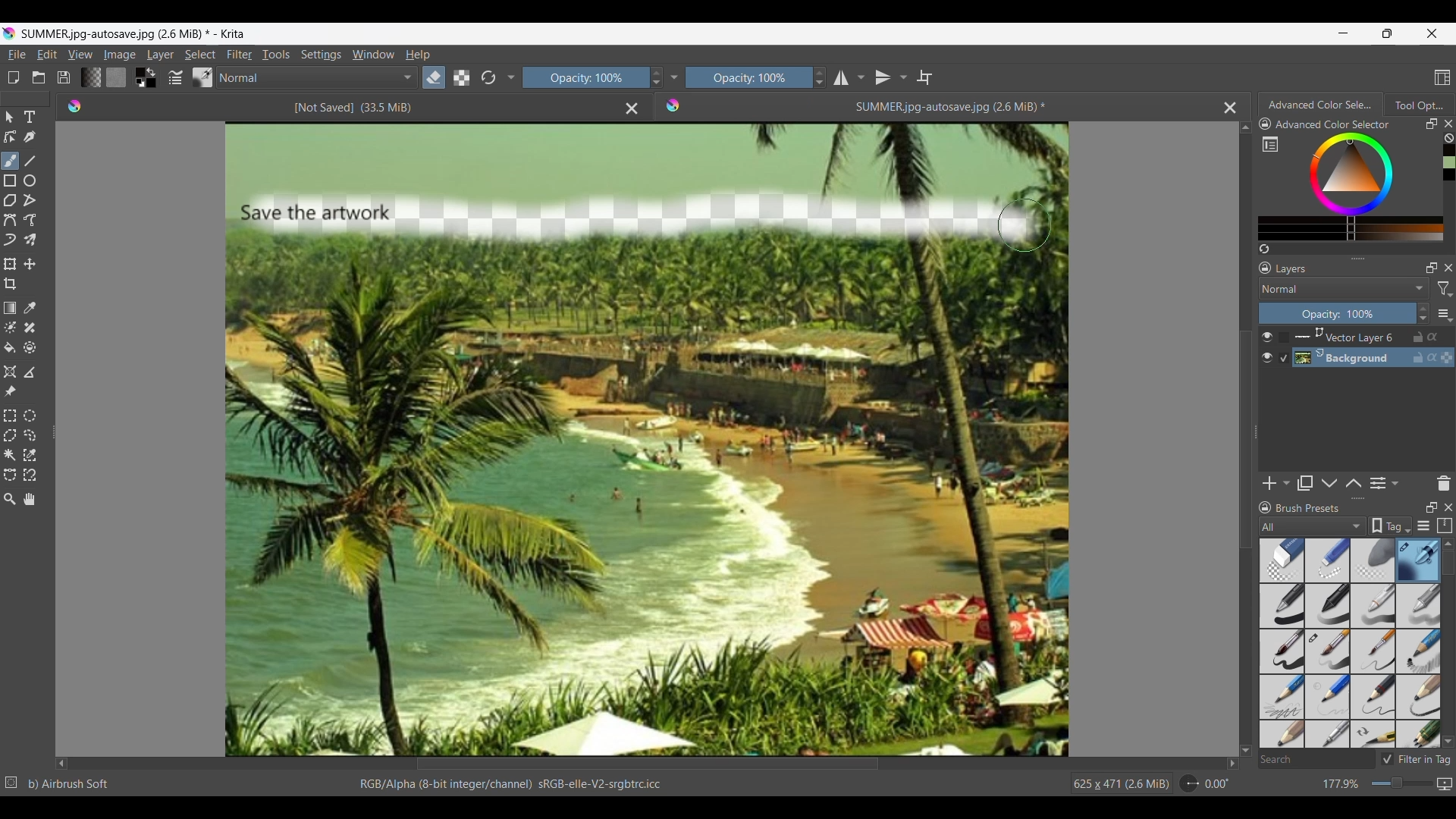  Describe the element at coordinates (240, 55) in the screenshot. I see `Filter` at that location.